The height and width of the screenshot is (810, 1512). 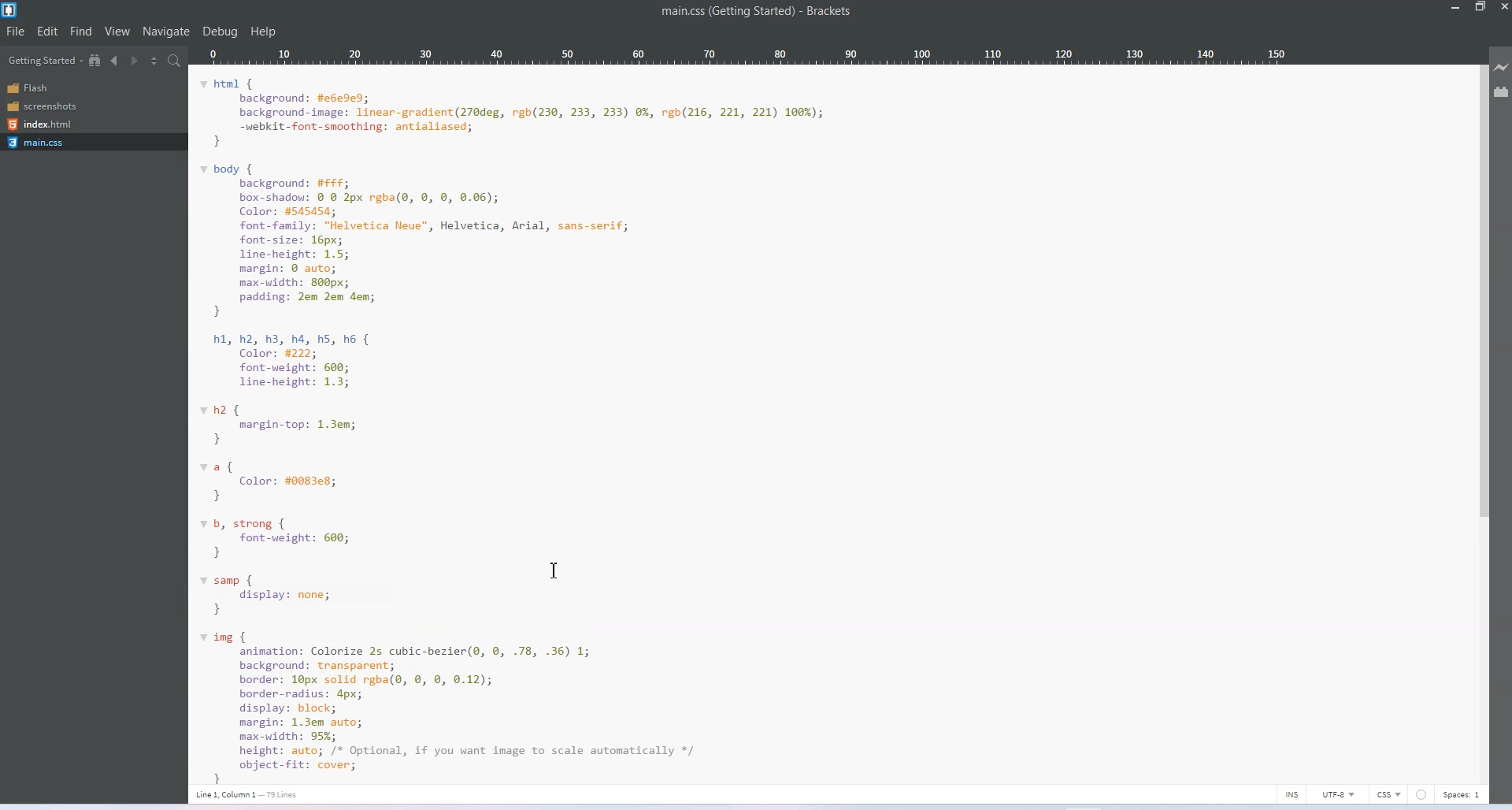 What do you see at coordinates (762, 13) in the screenshot?
I see `main.css (getting started)- brackets` at bounding box center [762, 13].